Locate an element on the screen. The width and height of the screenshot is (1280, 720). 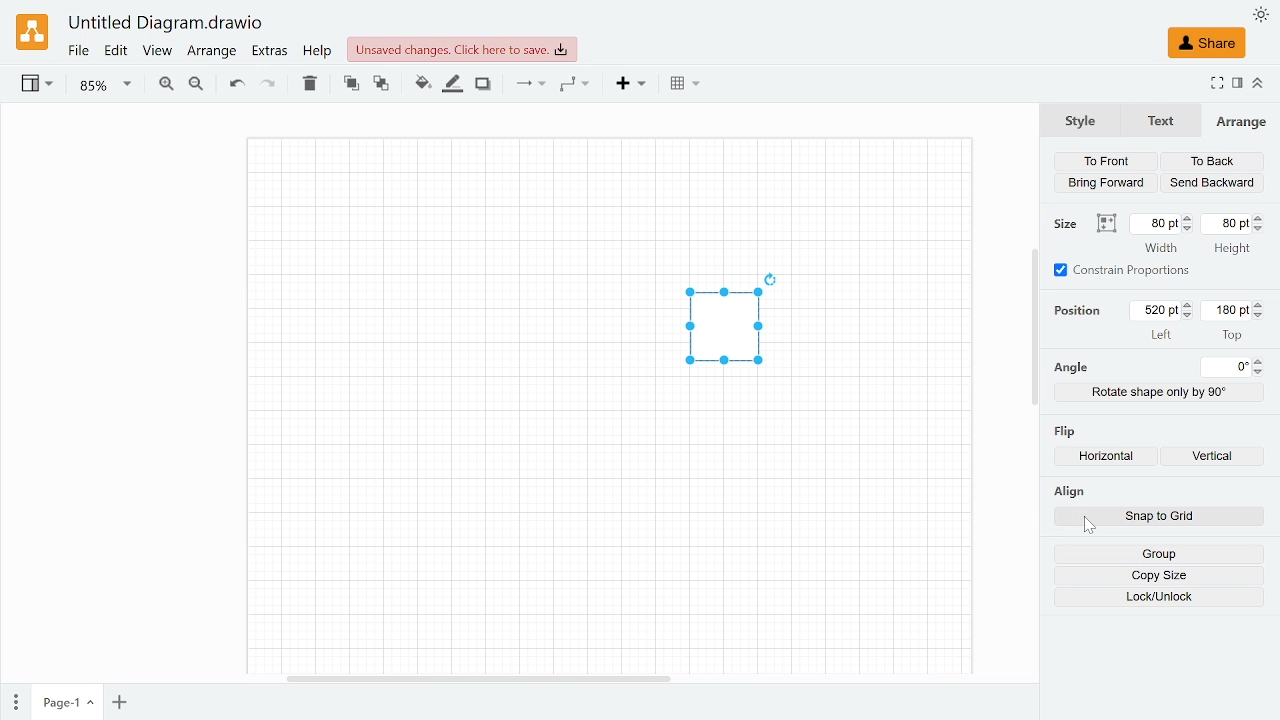
Zoom in is located at coordinates (165, 86).